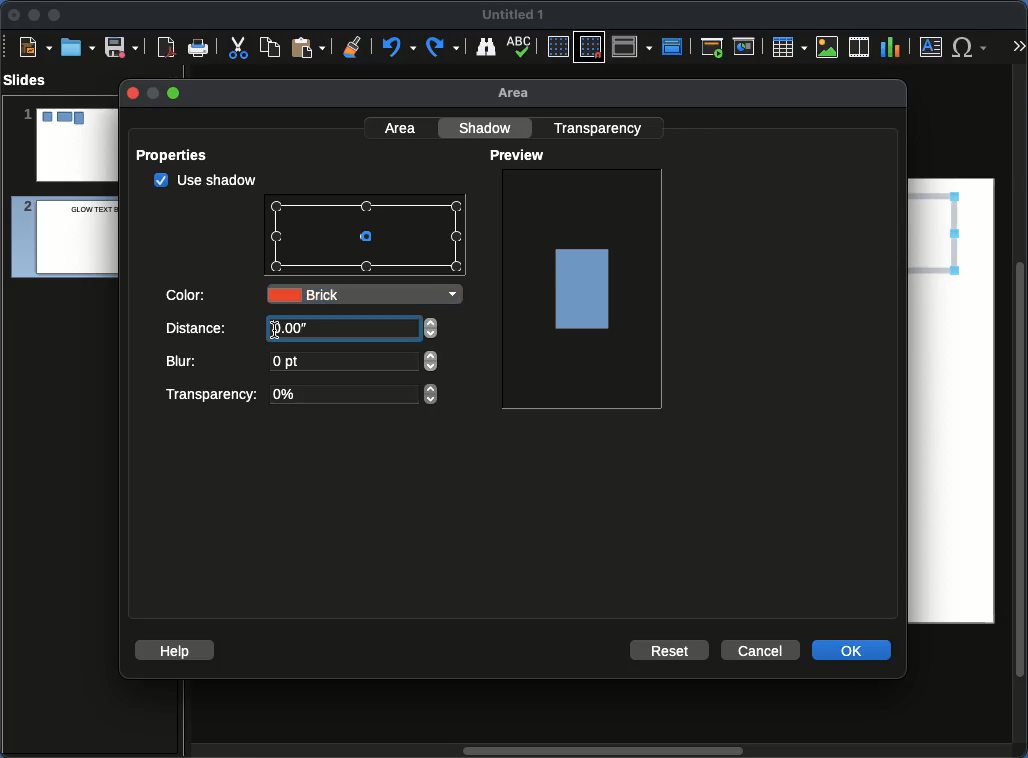 This screenshot has width=1028, height=758. Describe the element at coordinates (759, 651) in the screenshot. I see `Cancel` at that location.